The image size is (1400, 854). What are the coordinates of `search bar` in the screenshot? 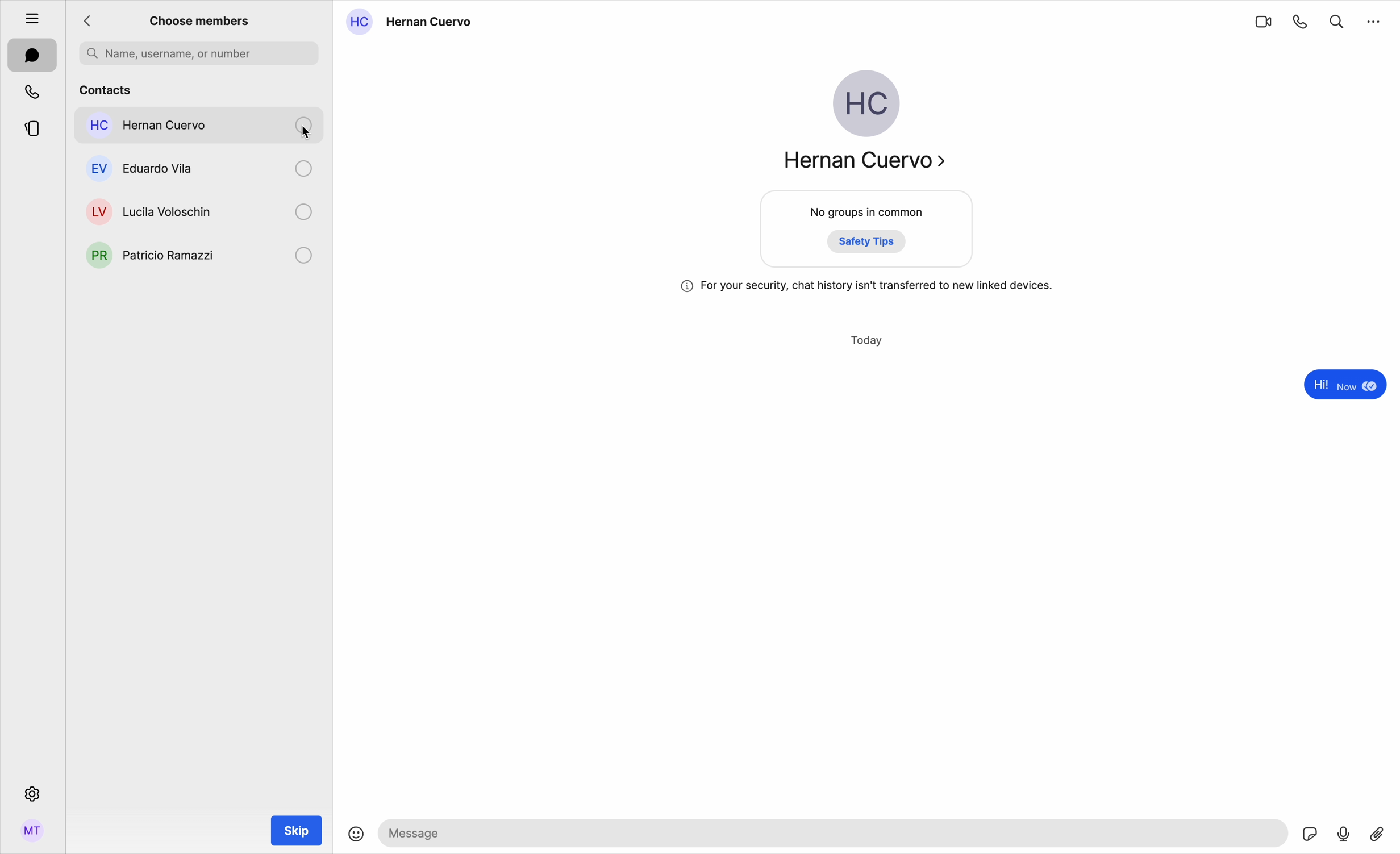 It's located at (199, 53).